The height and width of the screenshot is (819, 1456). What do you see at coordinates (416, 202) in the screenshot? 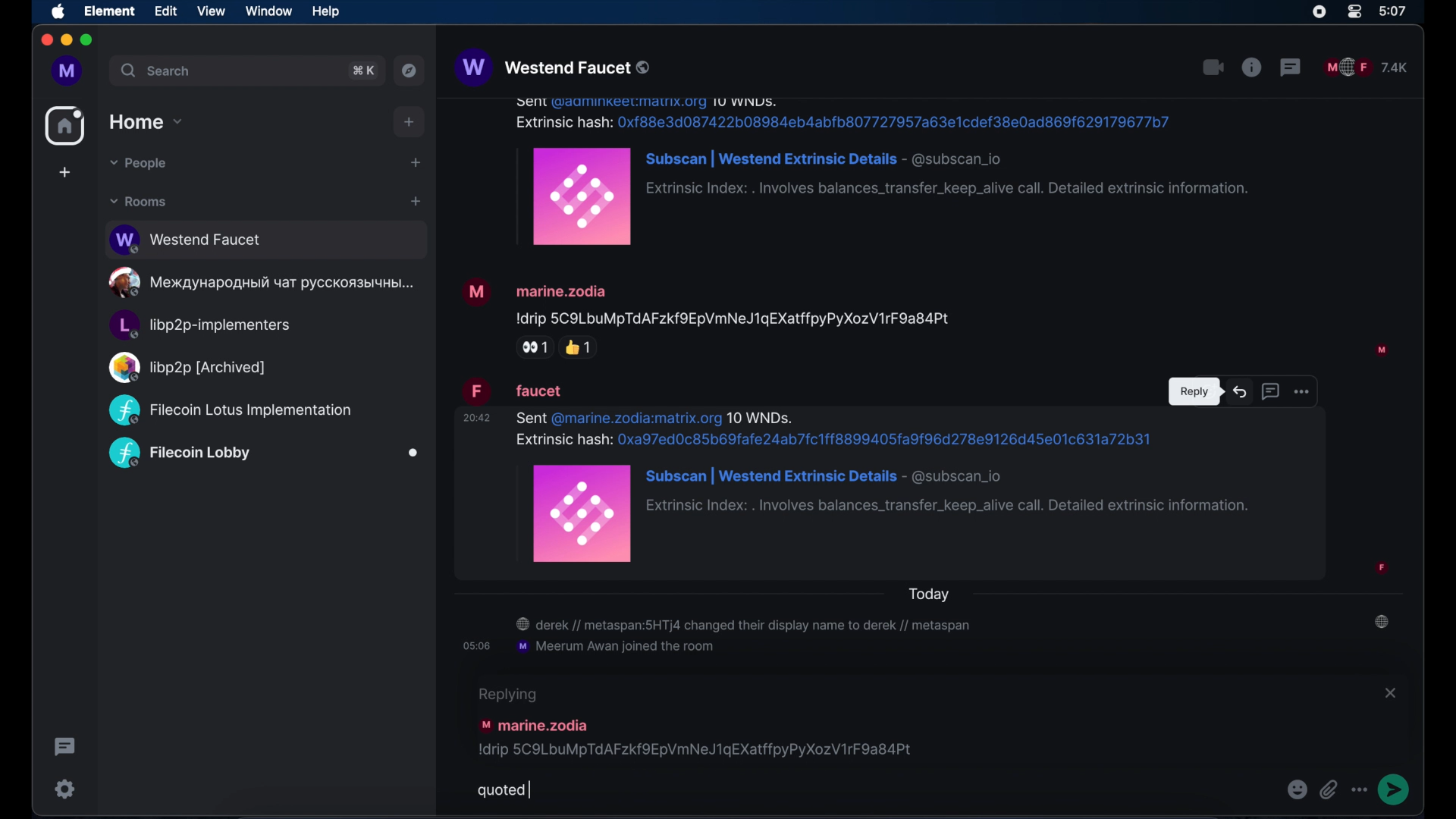
I see `add room` at bounding box center [416, 202].